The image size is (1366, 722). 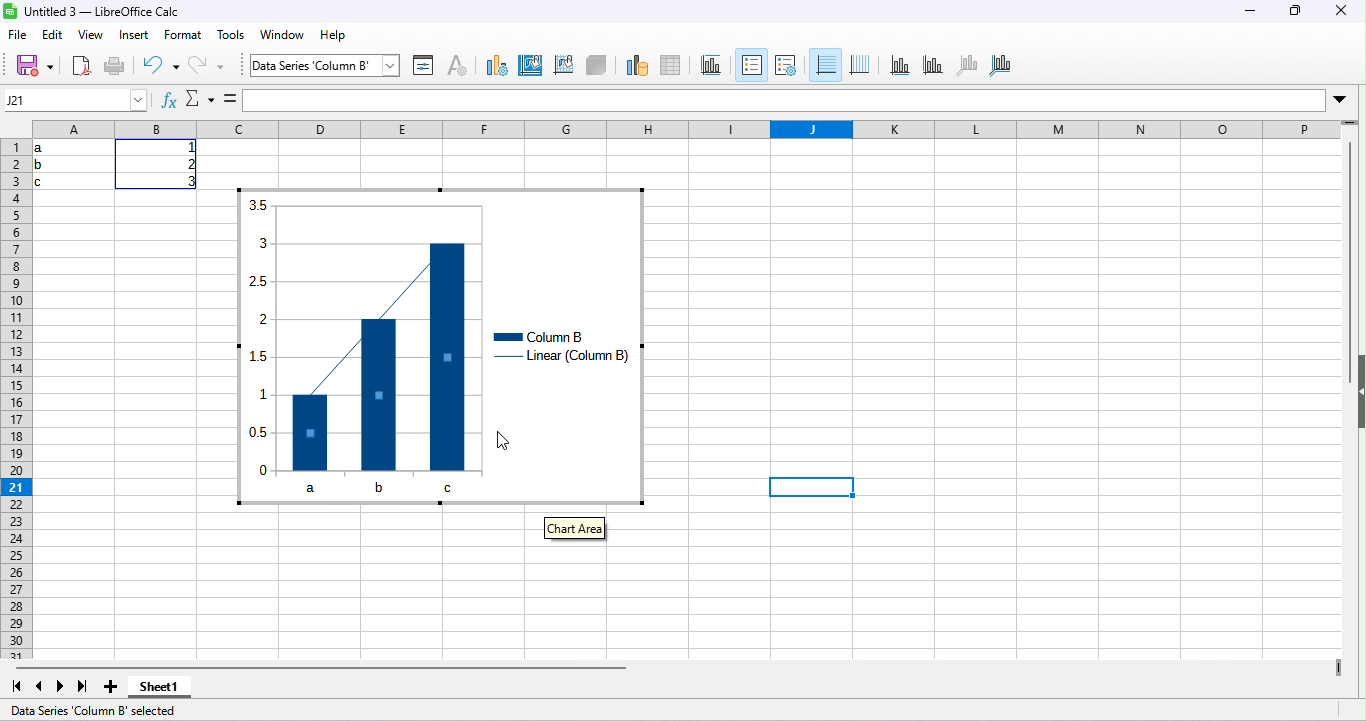 I want to click on area, so click(x=531, y=67).